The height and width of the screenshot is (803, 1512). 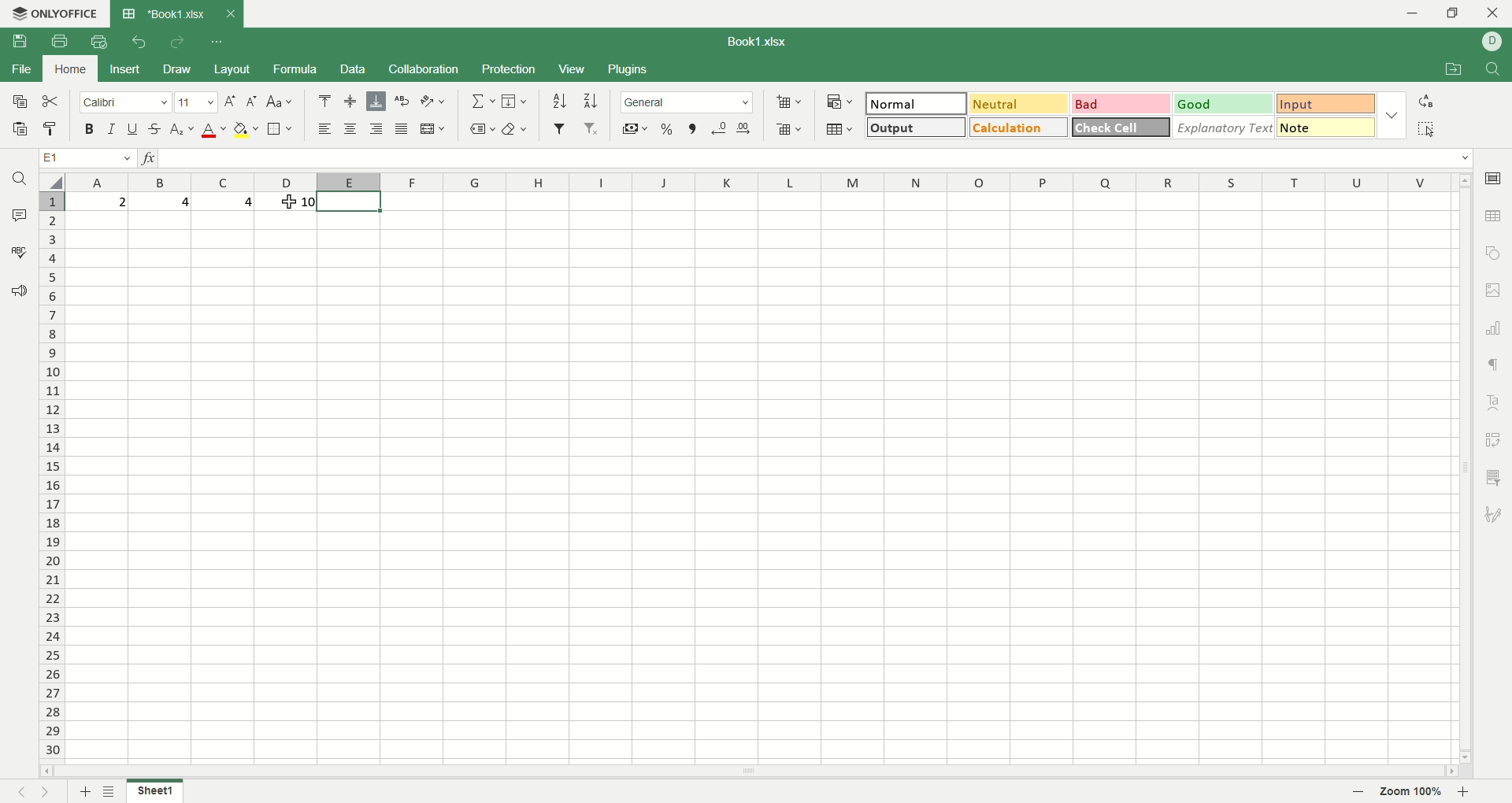 What do you see at coordinates (249, 102) in the screenshot?
I see `decrease font` at bounding box center [249, 102].